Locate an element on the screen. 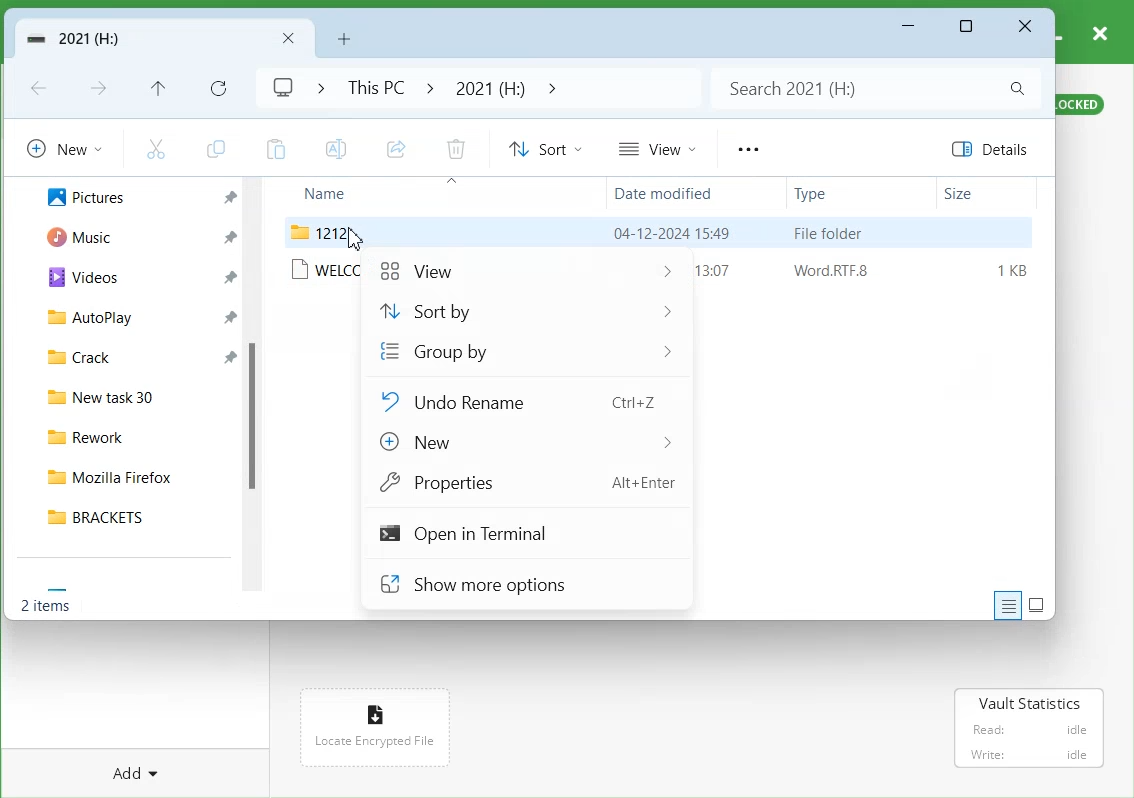  Minimize is located at coordinates (909, 27).